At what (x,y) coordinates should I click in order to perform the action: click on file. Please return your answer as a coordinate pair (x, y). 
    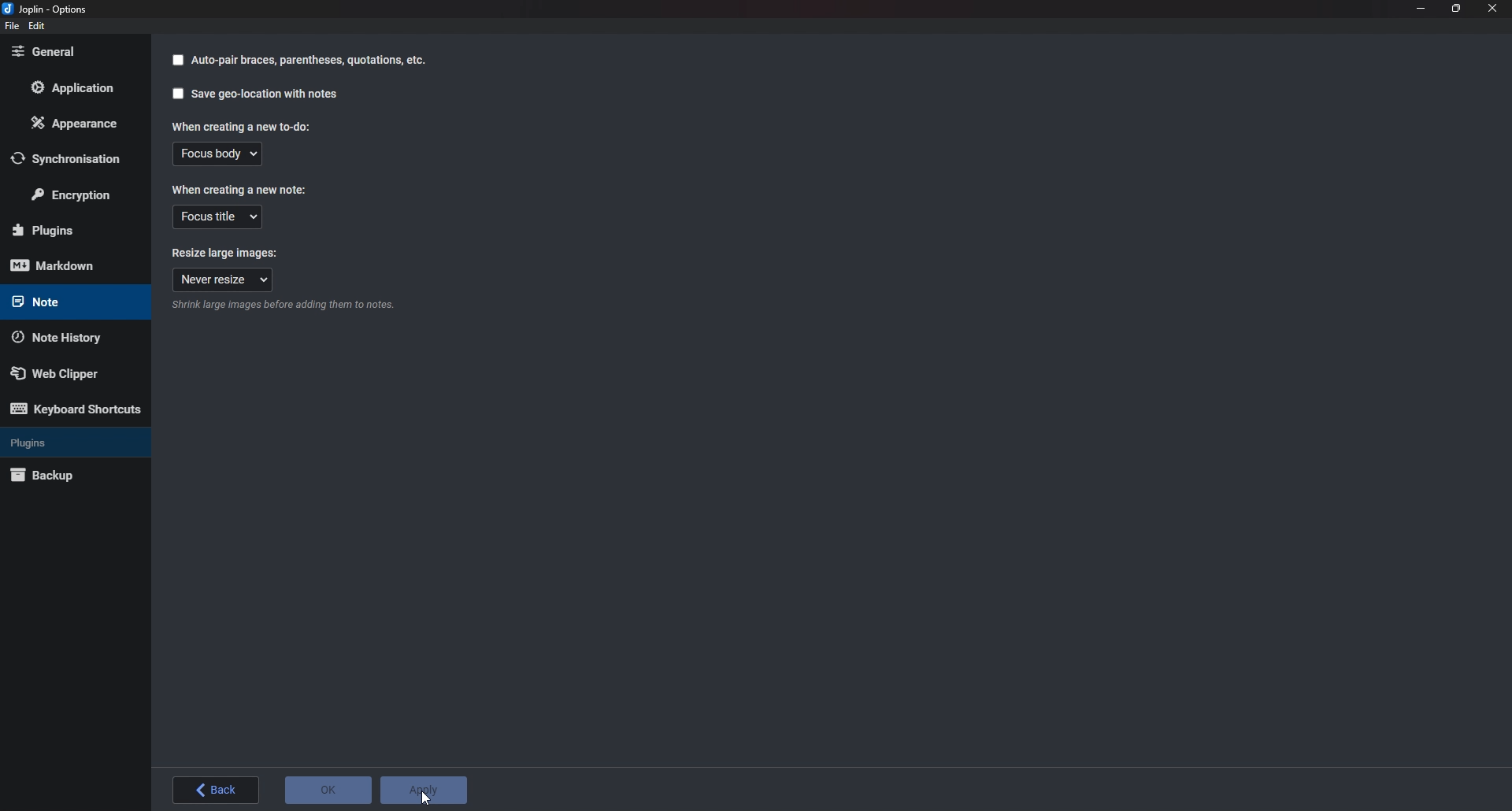
    Looking at the image, I should click on (11, 27).